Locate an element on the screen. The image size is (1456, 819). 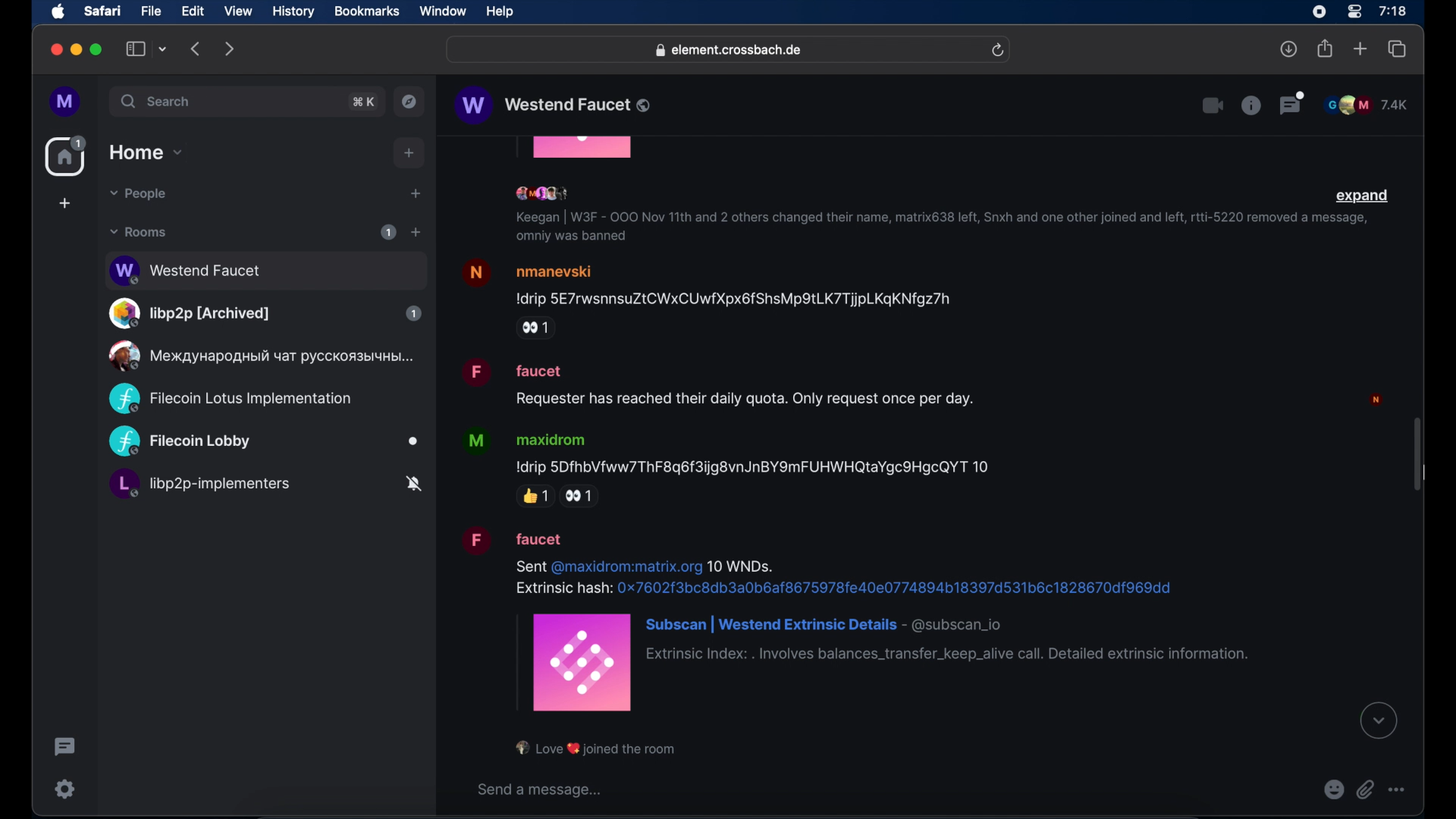
maximize is located at coordinates (98, 49).